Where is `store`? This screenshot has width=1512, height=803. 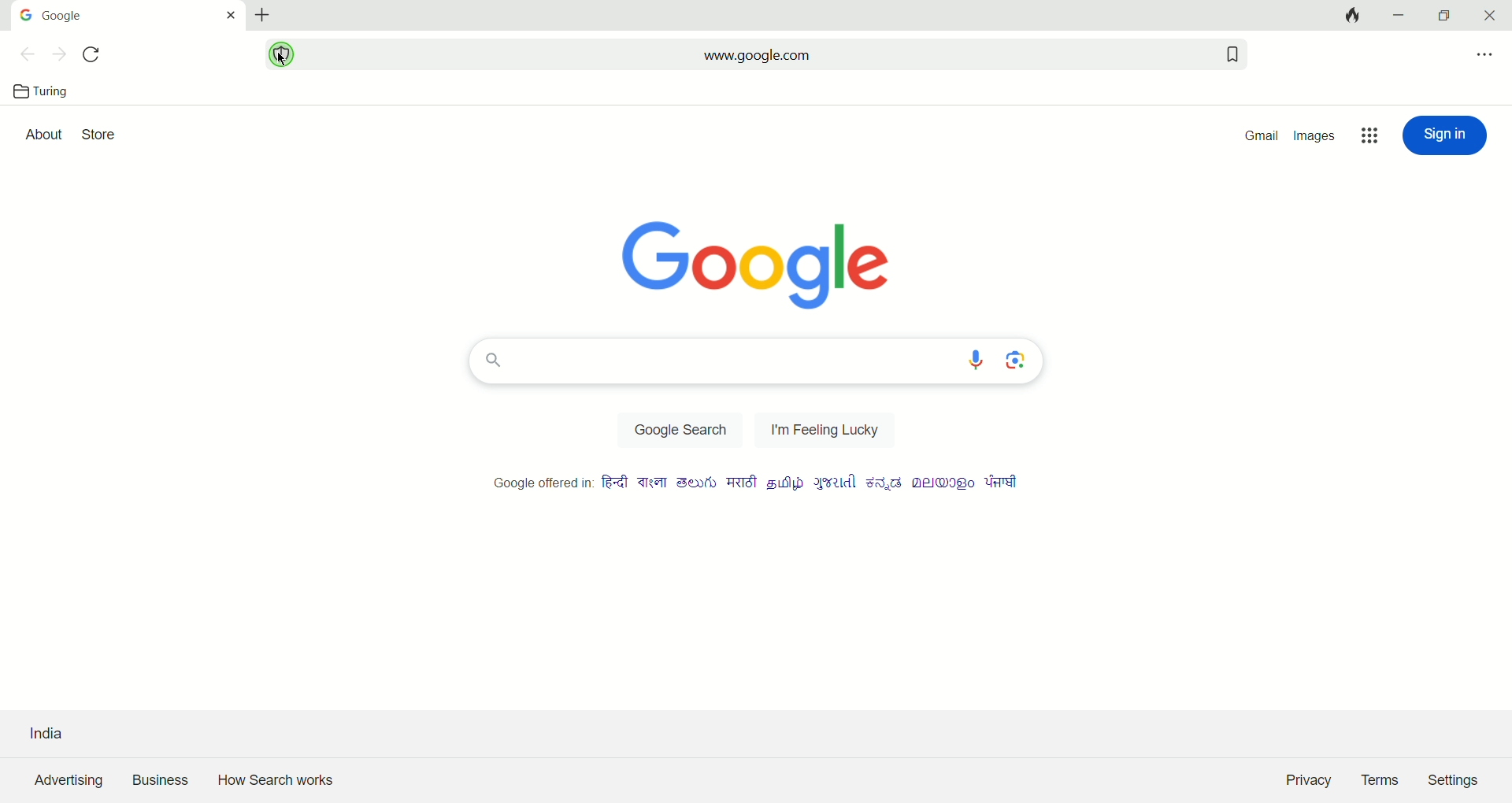
store is located at coordinates (102, 134).